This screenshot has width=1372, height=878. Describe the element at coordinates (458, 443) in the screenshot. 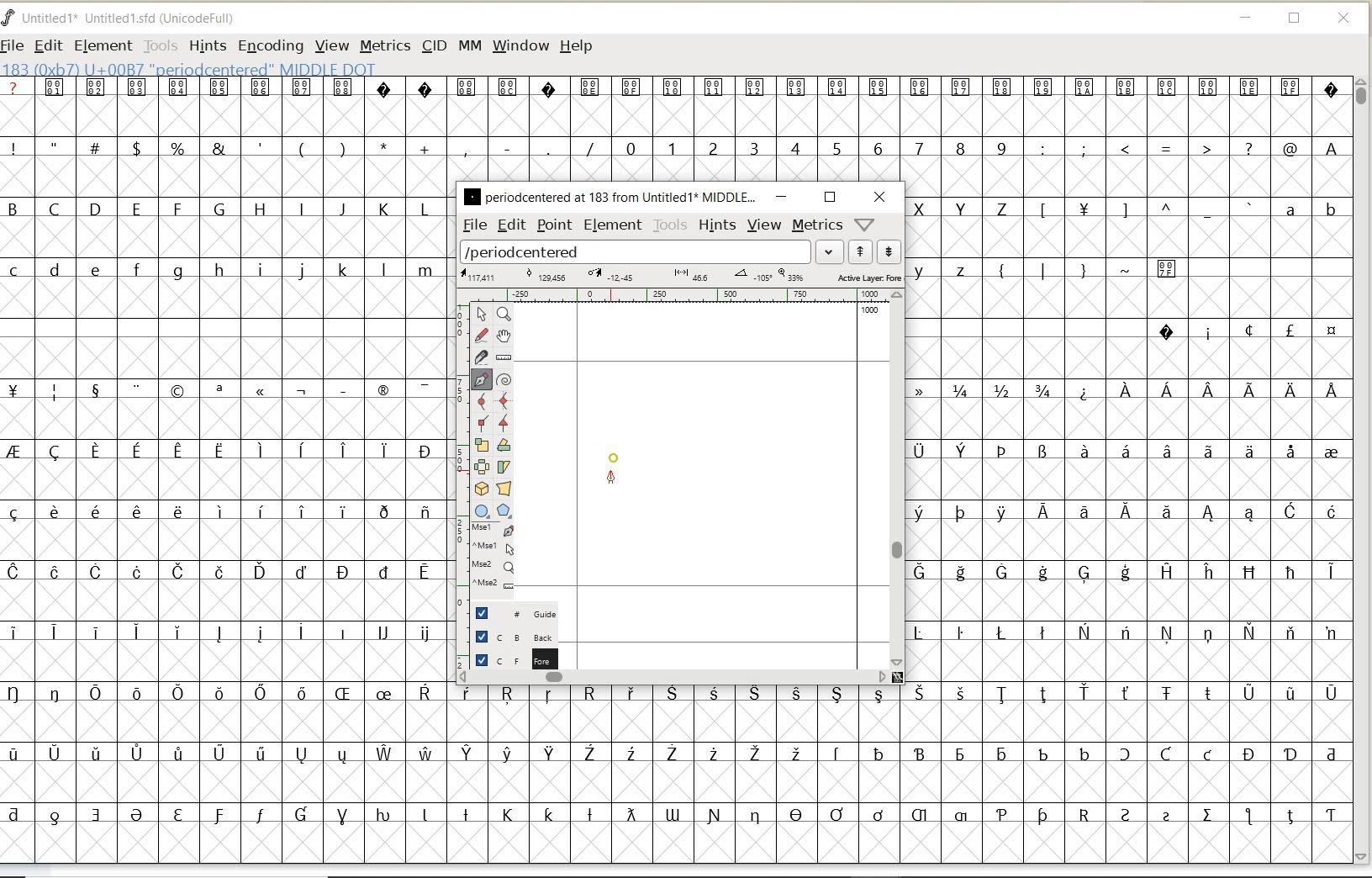

I see `scale` at that location.